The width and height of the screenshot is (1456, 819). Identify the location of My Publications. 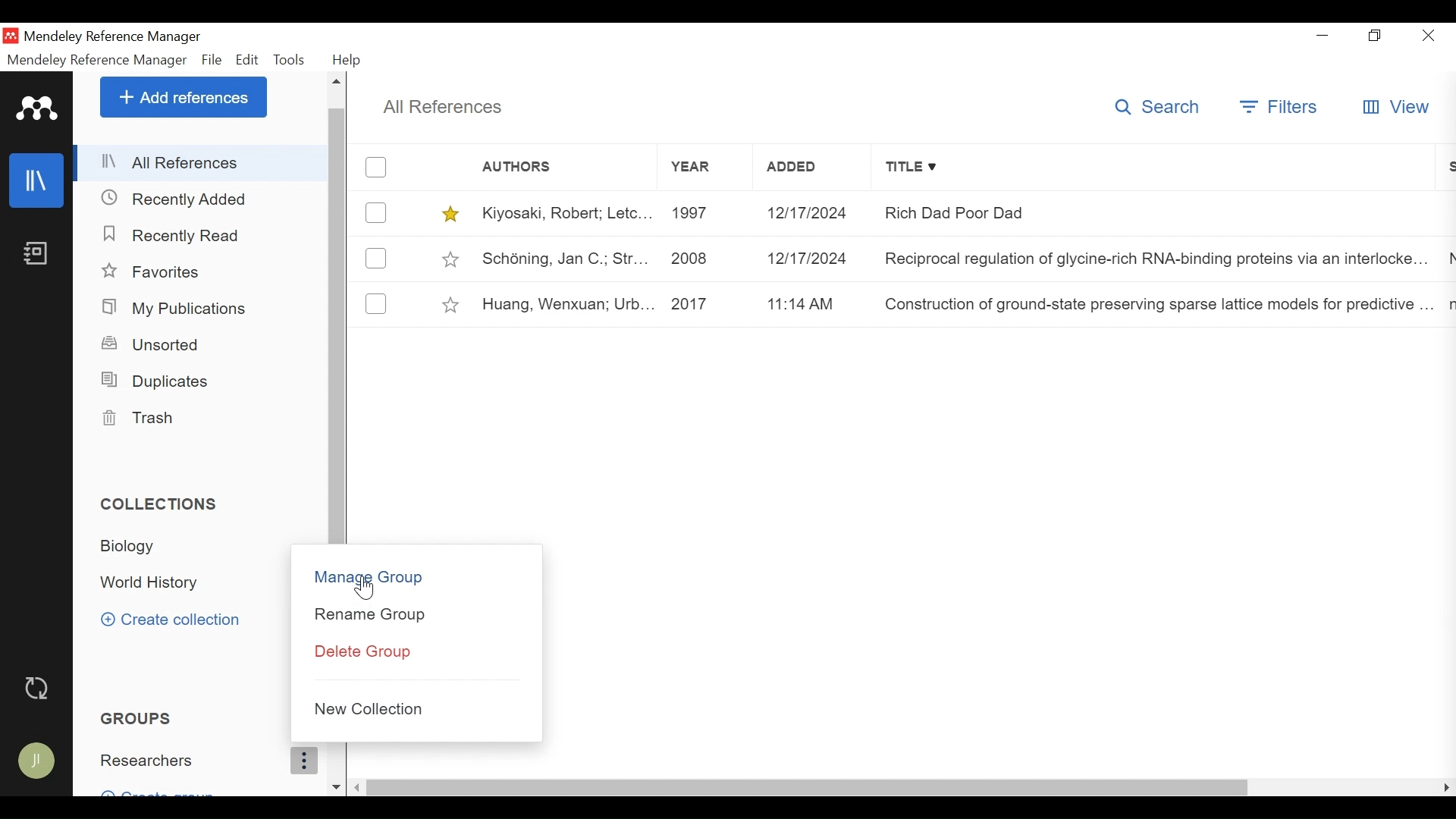
(174, 309).